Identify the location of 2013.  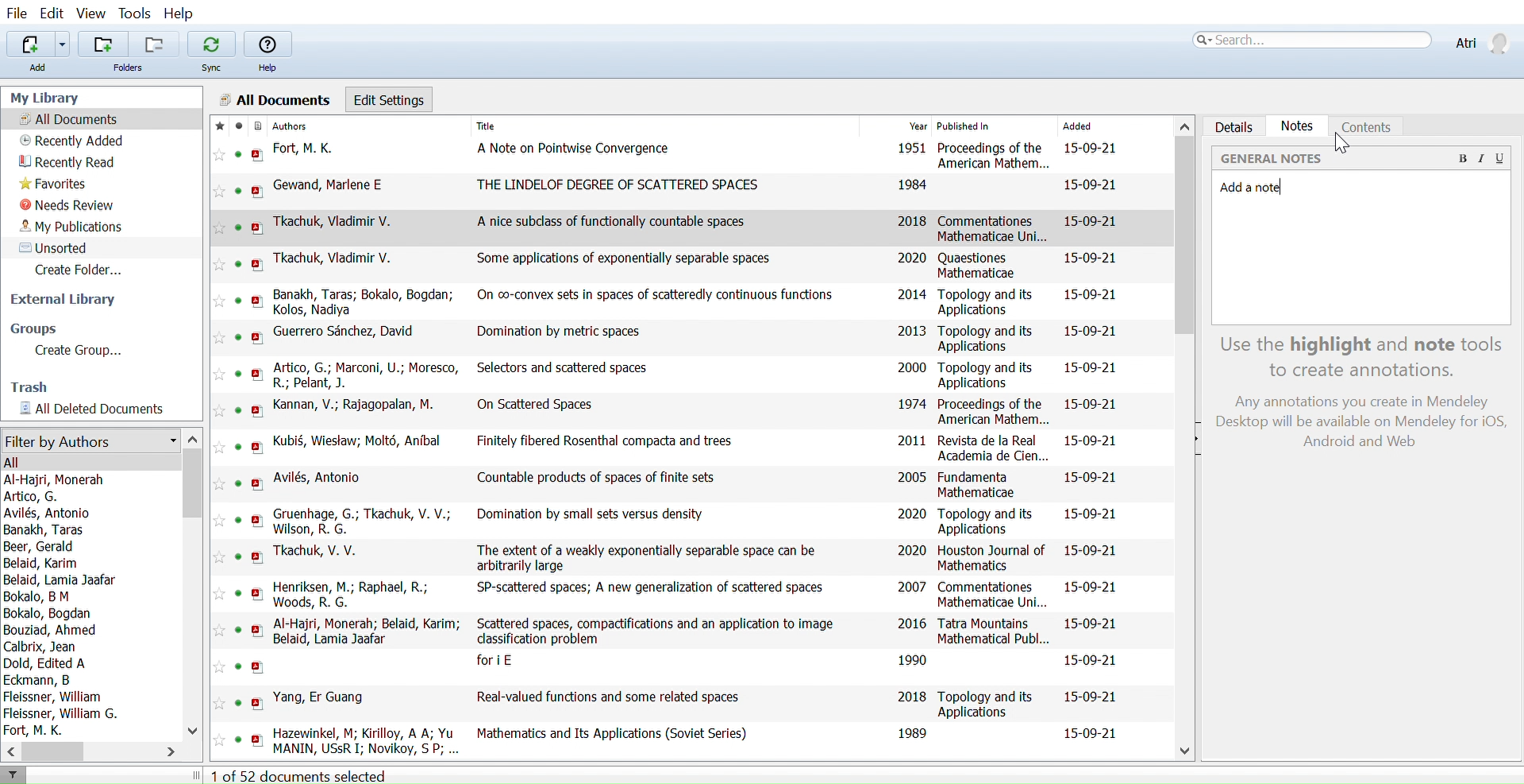
(913, 331).